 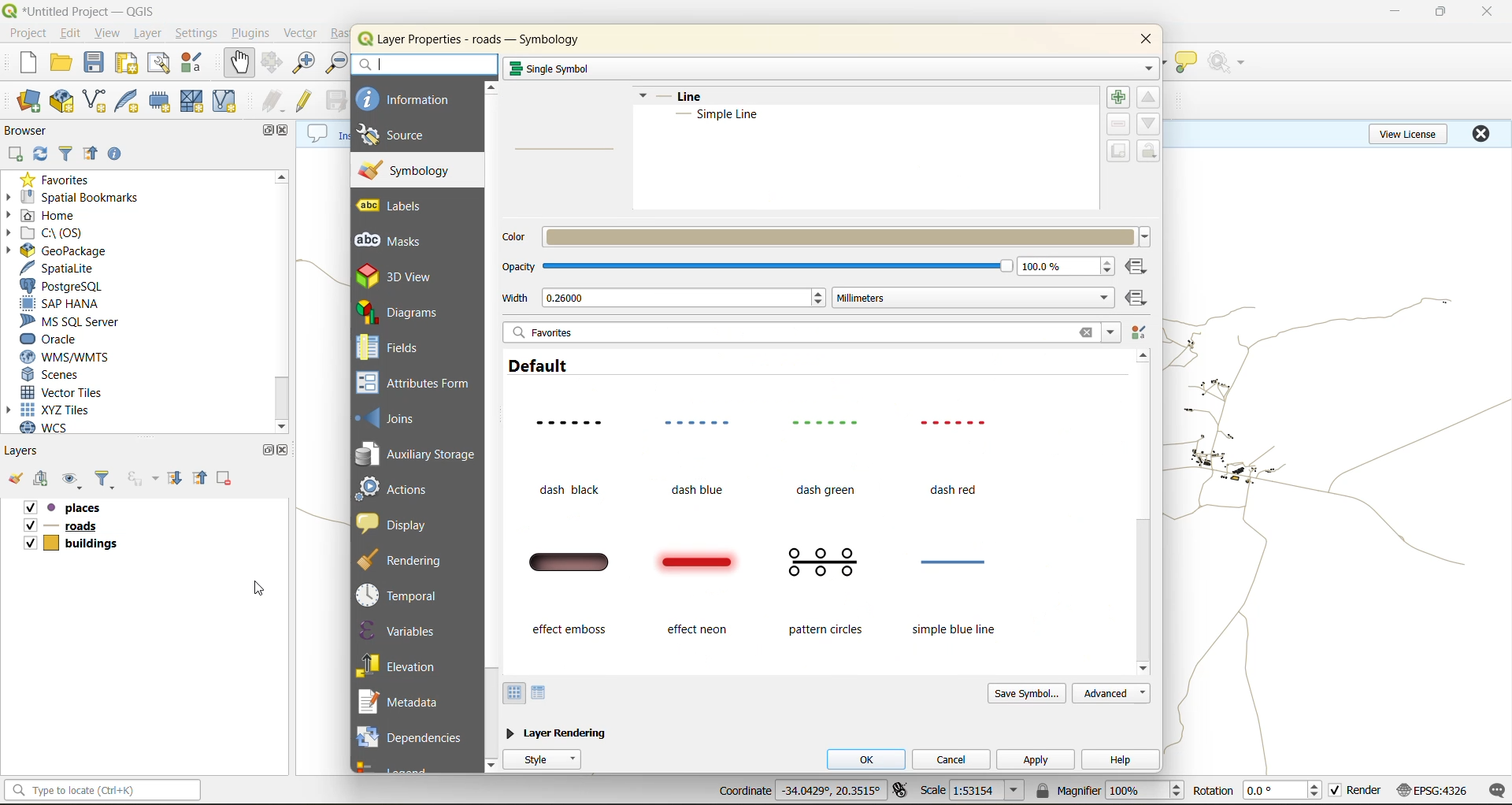 What do you see at coordinates (398, 345) in the screenshot?
I see `fields` at bounding box center [398, 345].